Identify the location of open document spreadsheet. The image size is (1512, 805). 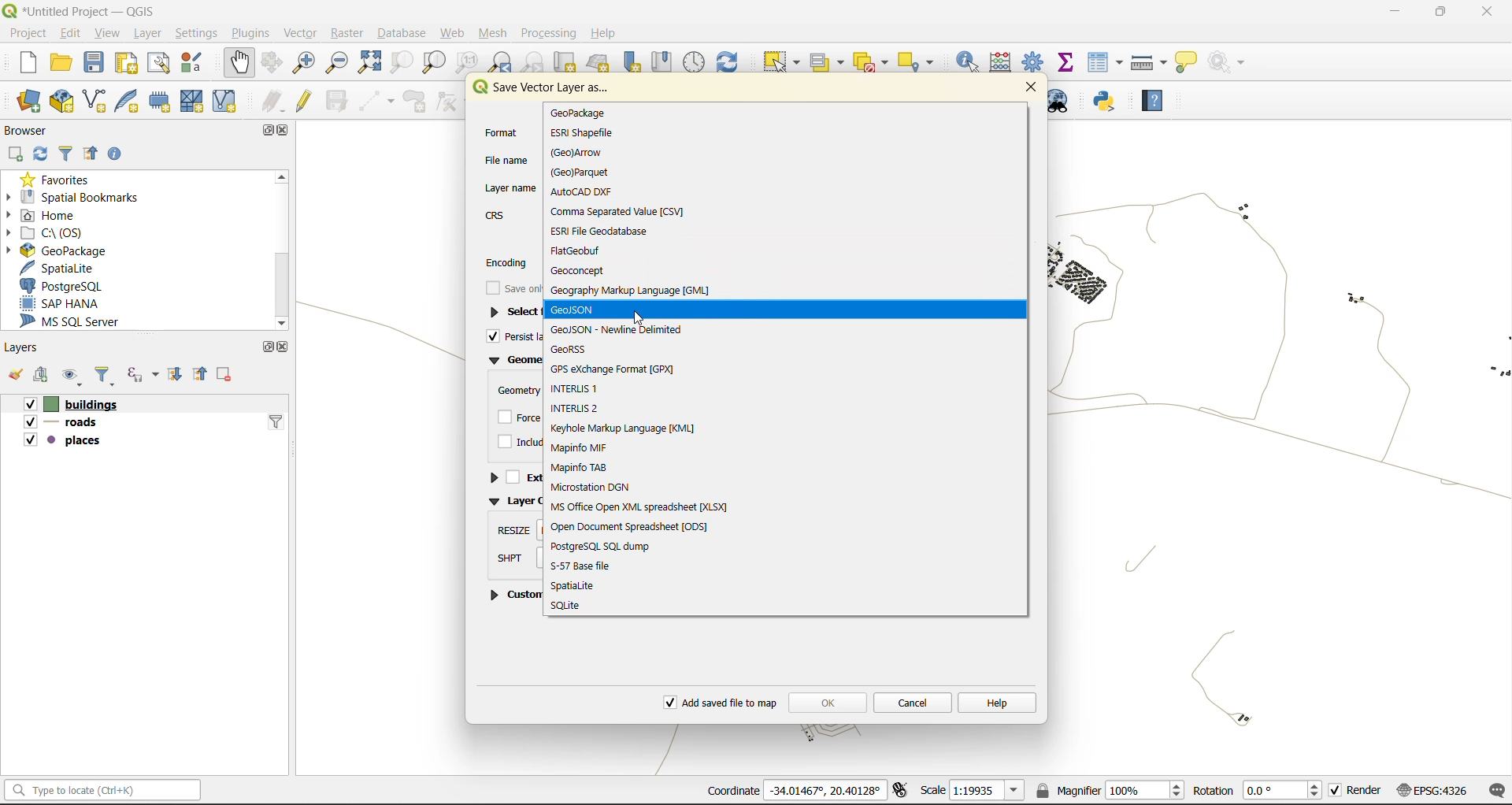
(631, 527).